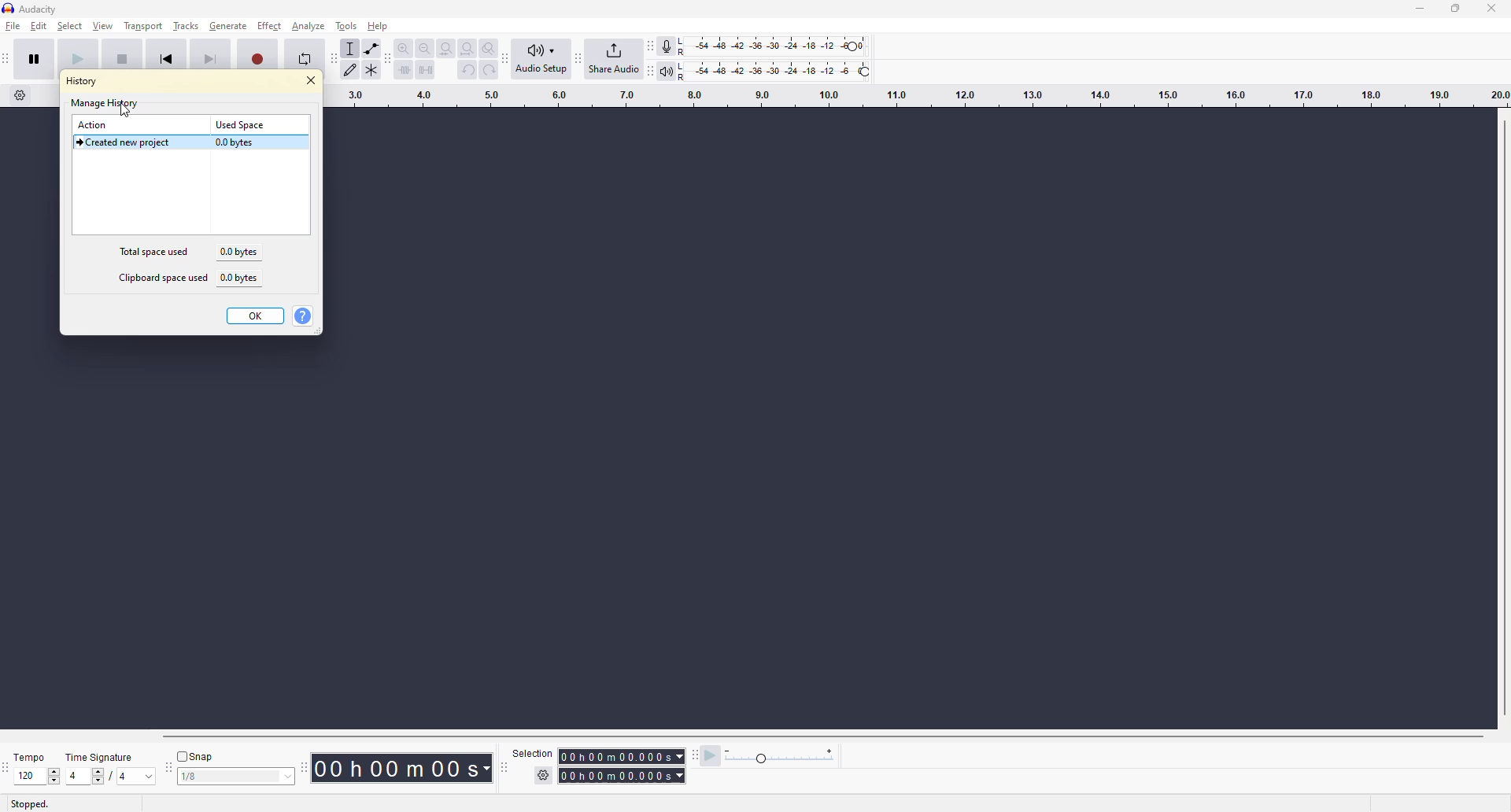 The height and width of the screenshot is (812, 1511). What do you see at coordinates (508, 57) in the screenshot?
I see `audacity tools toolbar` at bounding box center [508, 57].